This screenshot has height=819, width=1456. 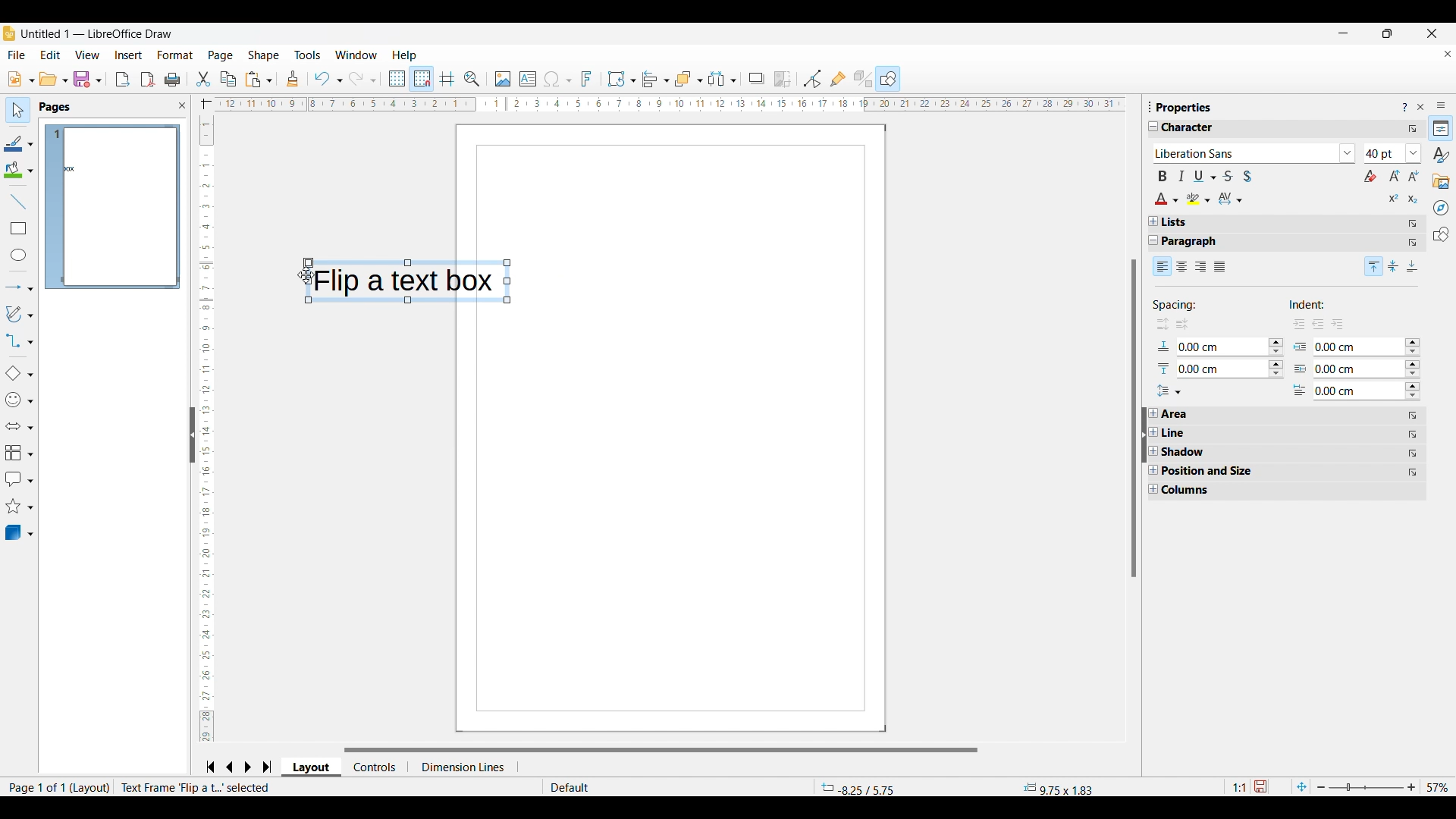 I want to click on Click to collapse sidebar, so click(x=1144, y=435).